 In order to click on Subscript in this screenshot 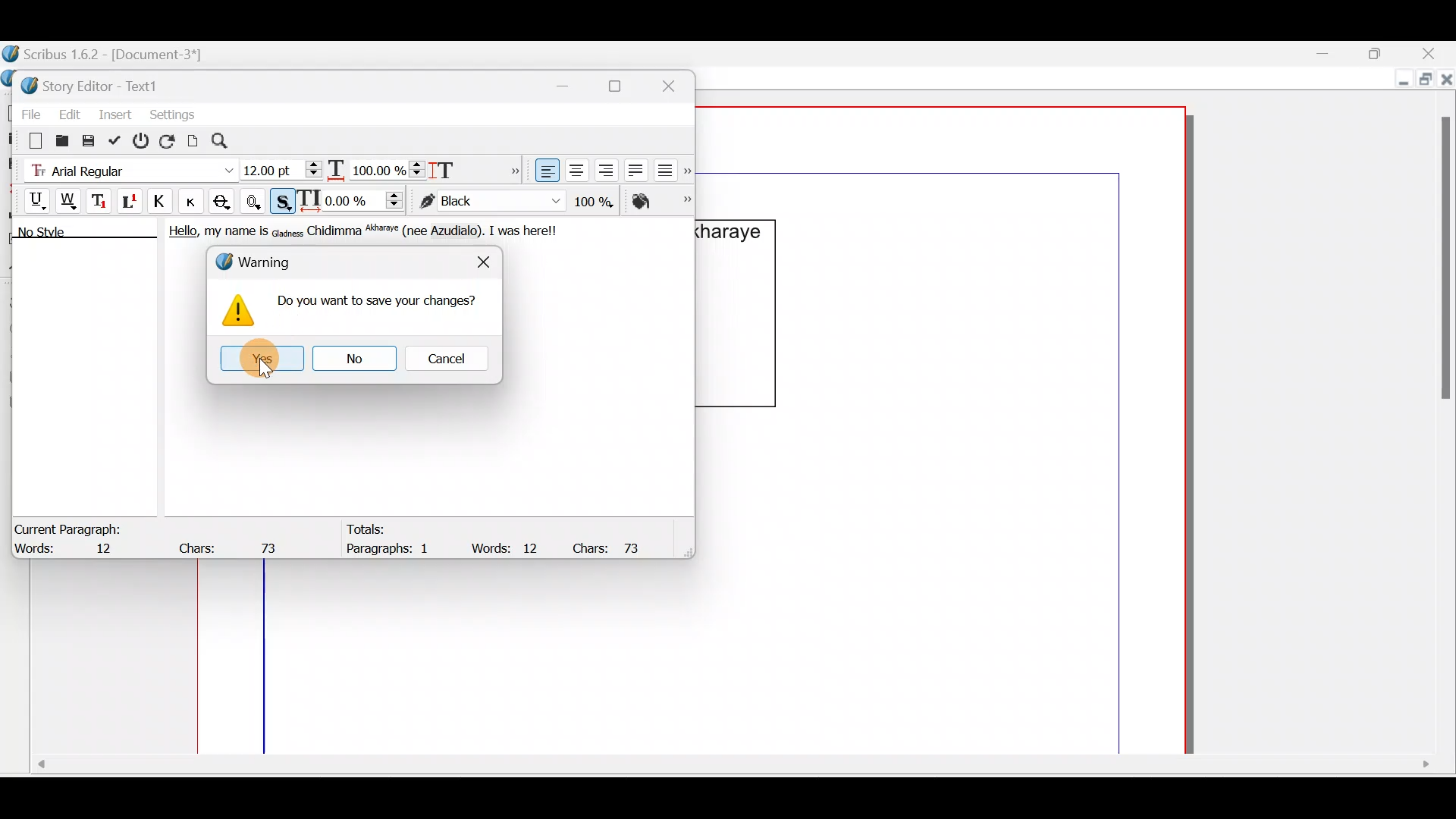, I will do `click(101, 199)`.